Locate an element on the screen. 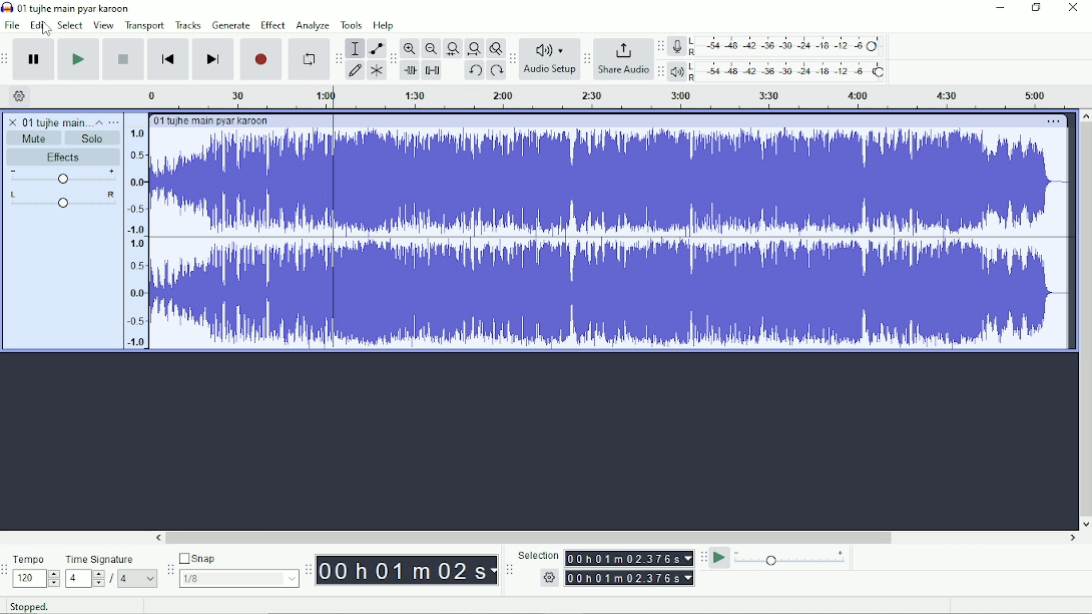  Time is located at coordinates (406, 570).